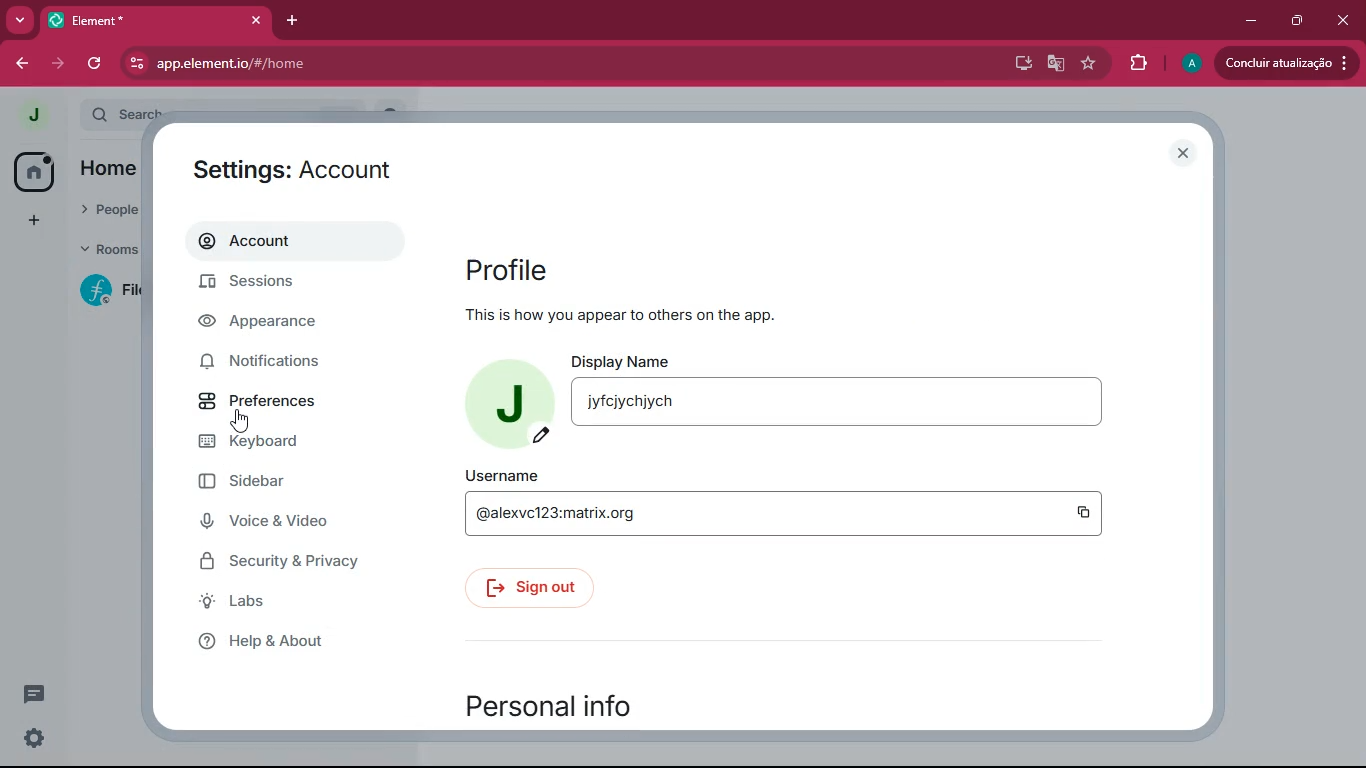 The width and height of the screenshot is (1366, 768). What do you see at coordinates (1299, 21) in the screenshot?
I see `maximize` at bounding box center [1299, 21].